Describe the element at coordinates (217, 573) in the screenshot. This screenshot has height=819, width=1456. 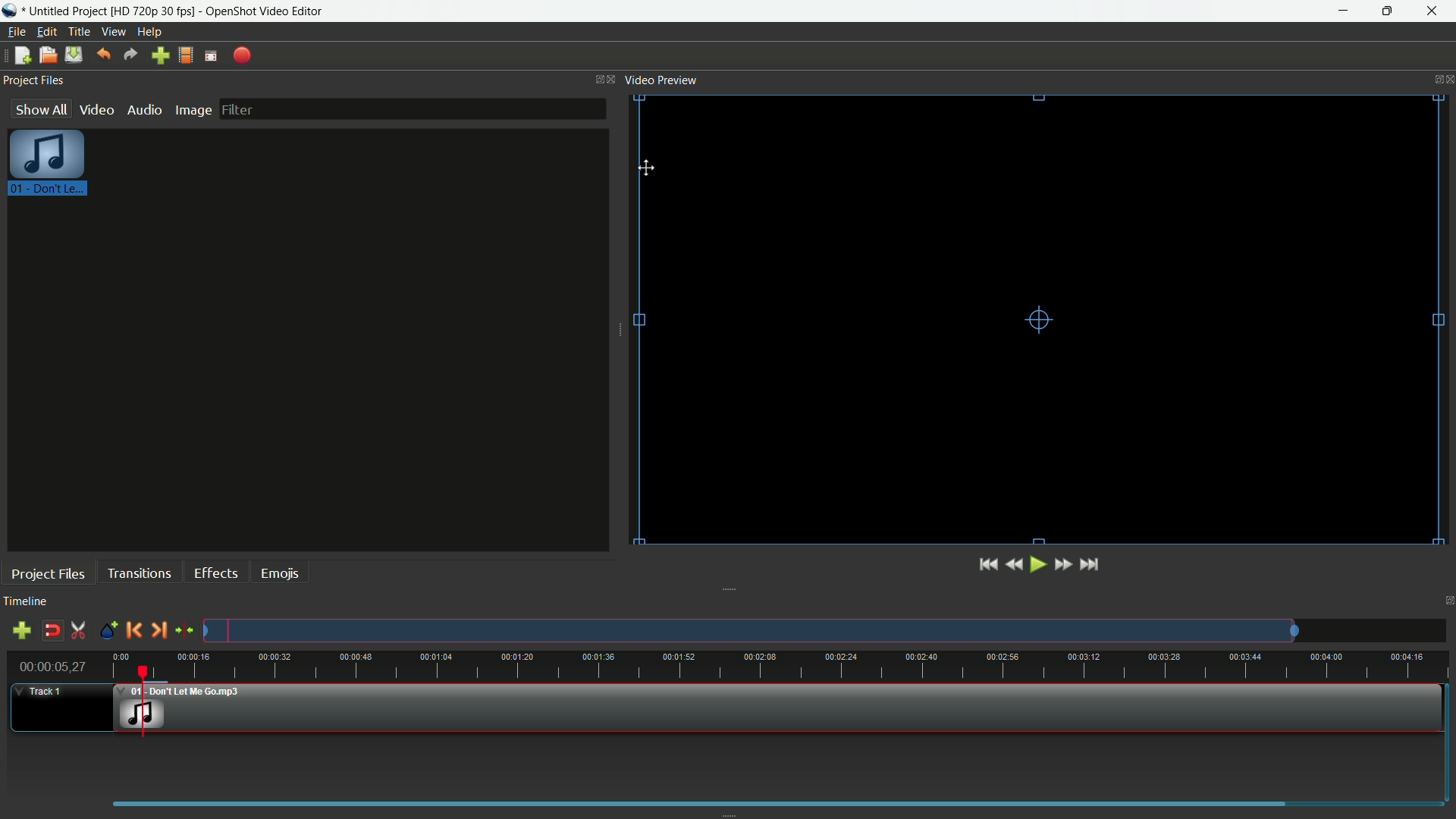
I see `effects` at that location.